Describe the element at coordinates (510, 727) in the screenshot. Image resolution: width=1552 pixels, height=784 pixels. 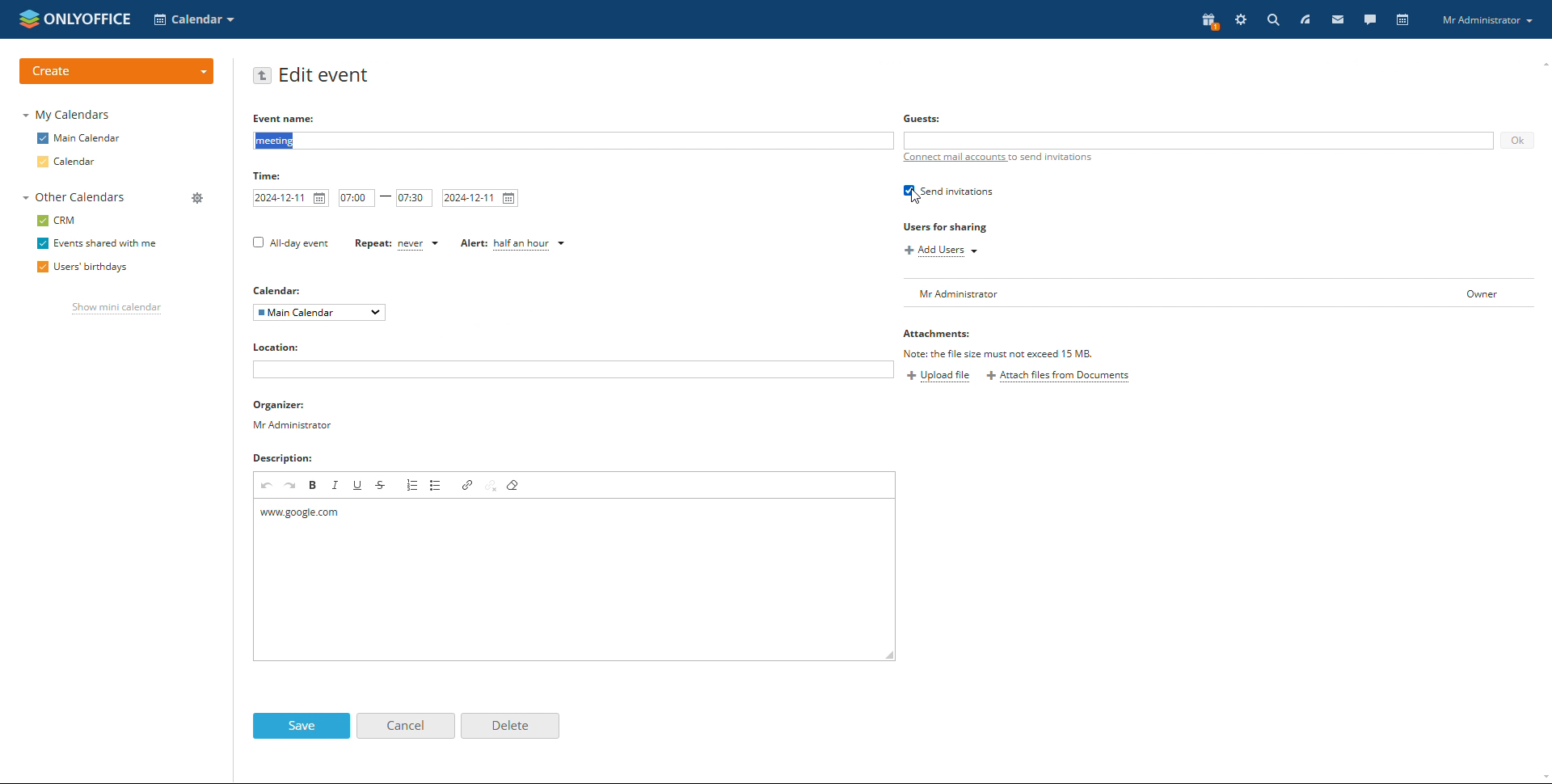
I see `delete` at that location.